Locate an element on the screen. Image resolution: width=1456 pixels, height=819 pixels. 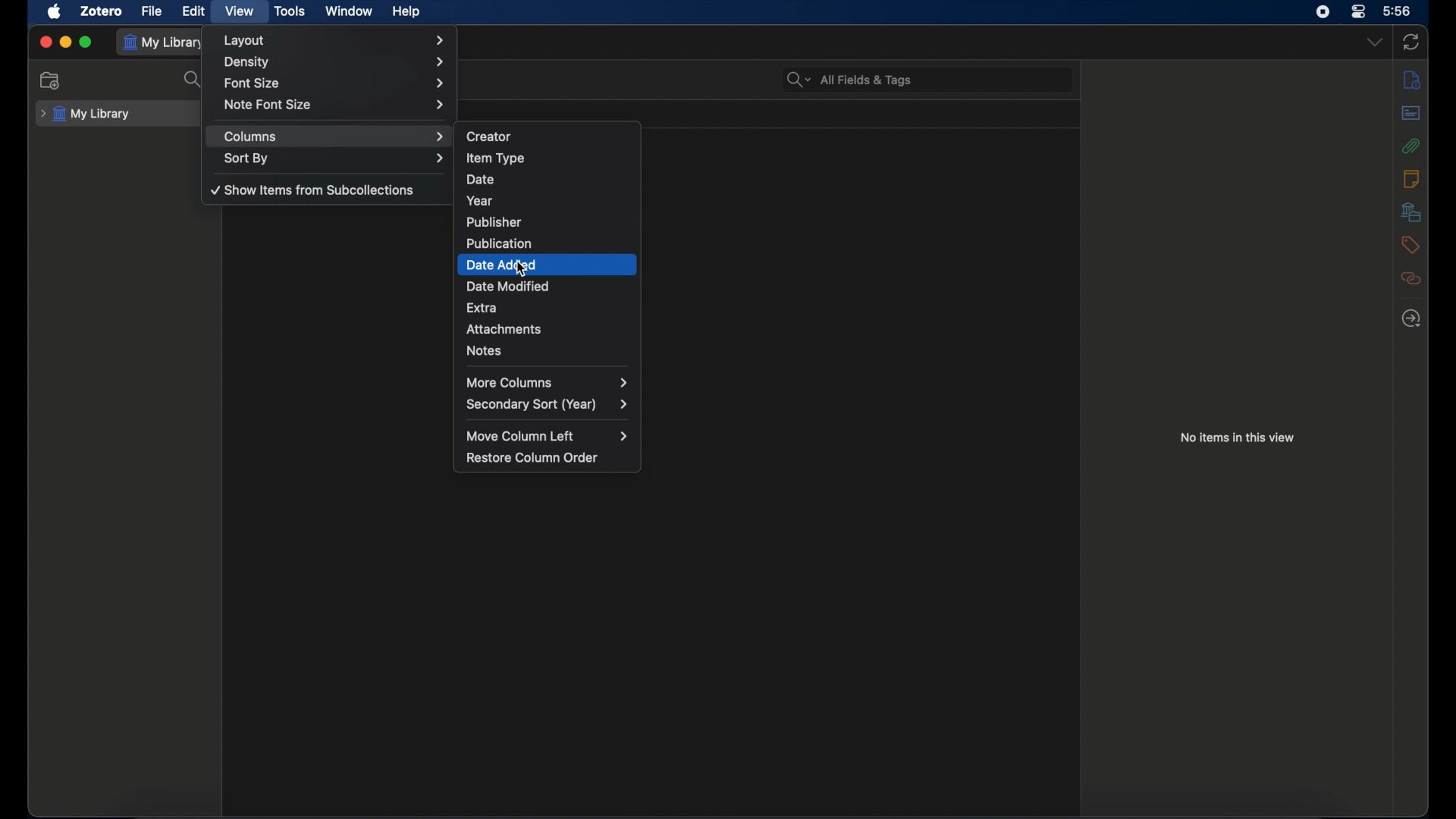
minimize is located at coordinates (67, 42).